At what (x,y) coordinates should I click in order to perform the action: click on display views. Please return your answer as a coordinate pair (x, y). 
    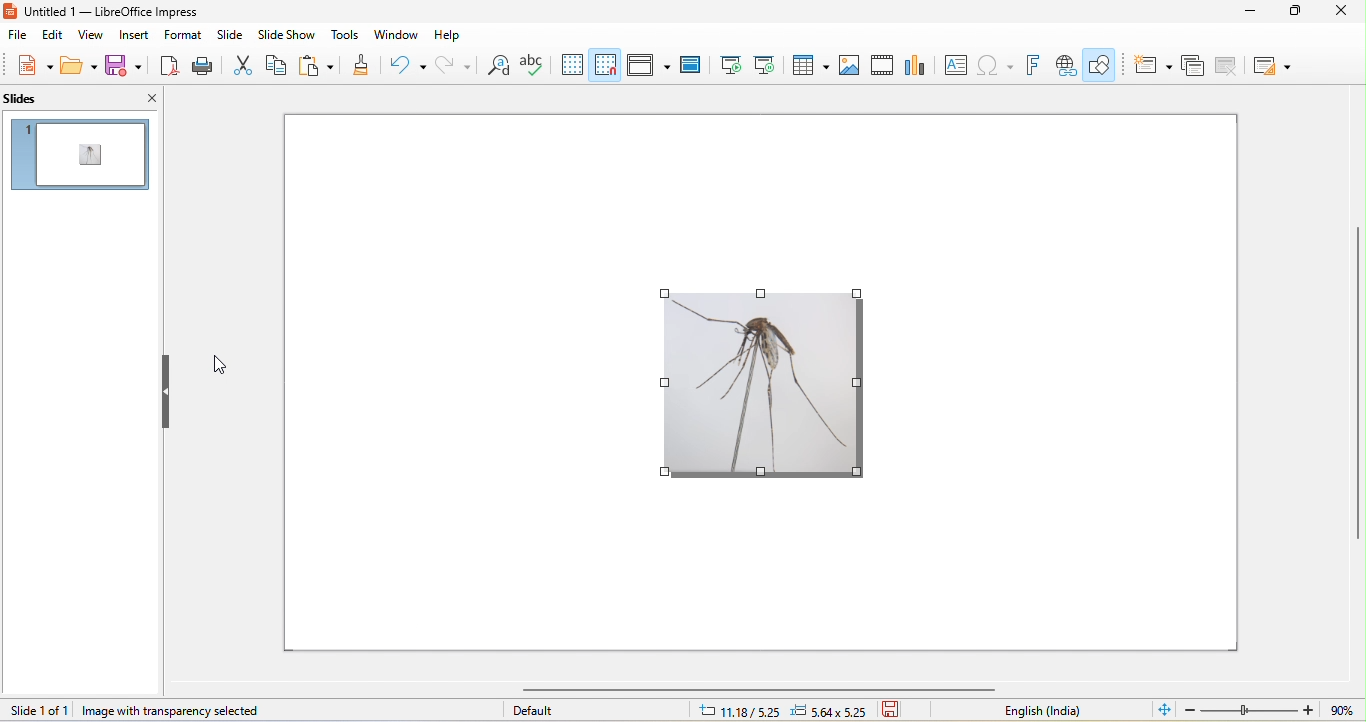
    Looking at the image, I should click on (649, 64).